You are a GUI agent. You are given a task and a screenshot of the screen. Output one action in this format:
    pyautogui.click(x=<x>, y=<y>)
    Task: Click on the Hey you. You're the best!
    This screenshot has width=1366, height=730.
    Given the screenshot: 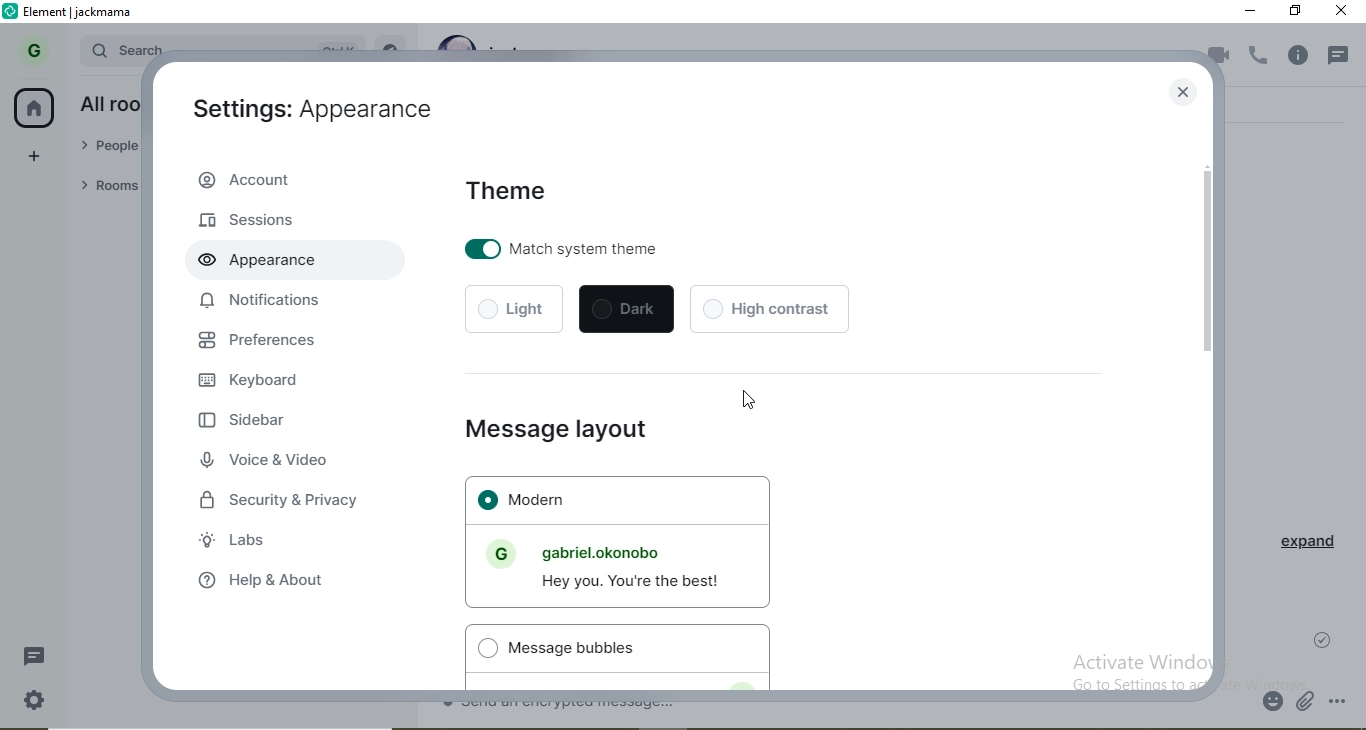 What is the action you would take?
    pyautogui.click(x=634, y=582)
    